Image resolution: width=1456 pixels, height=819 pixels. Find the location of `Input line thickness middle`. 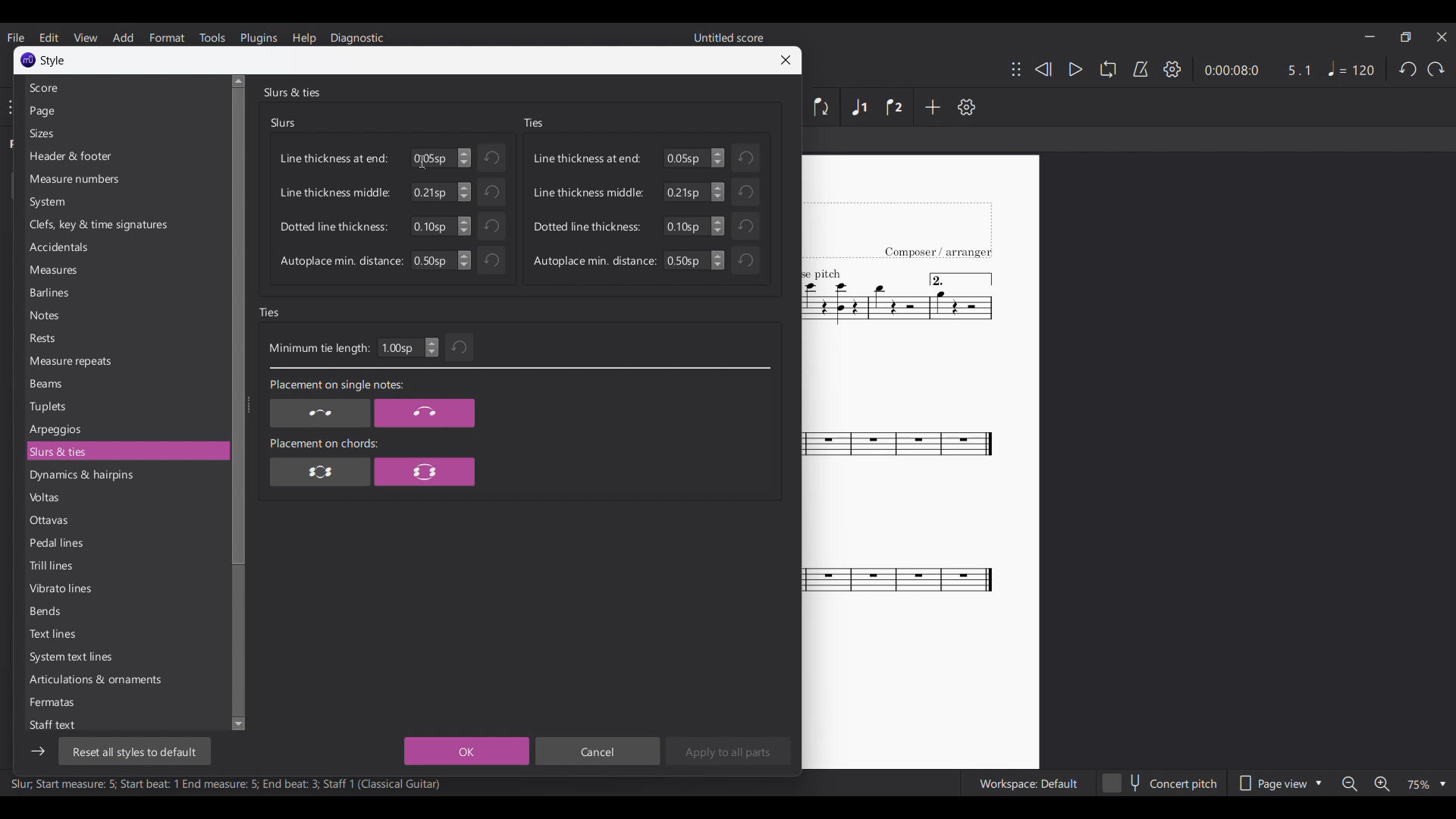

Input line thickness middle is located at coordinates (686, 192).